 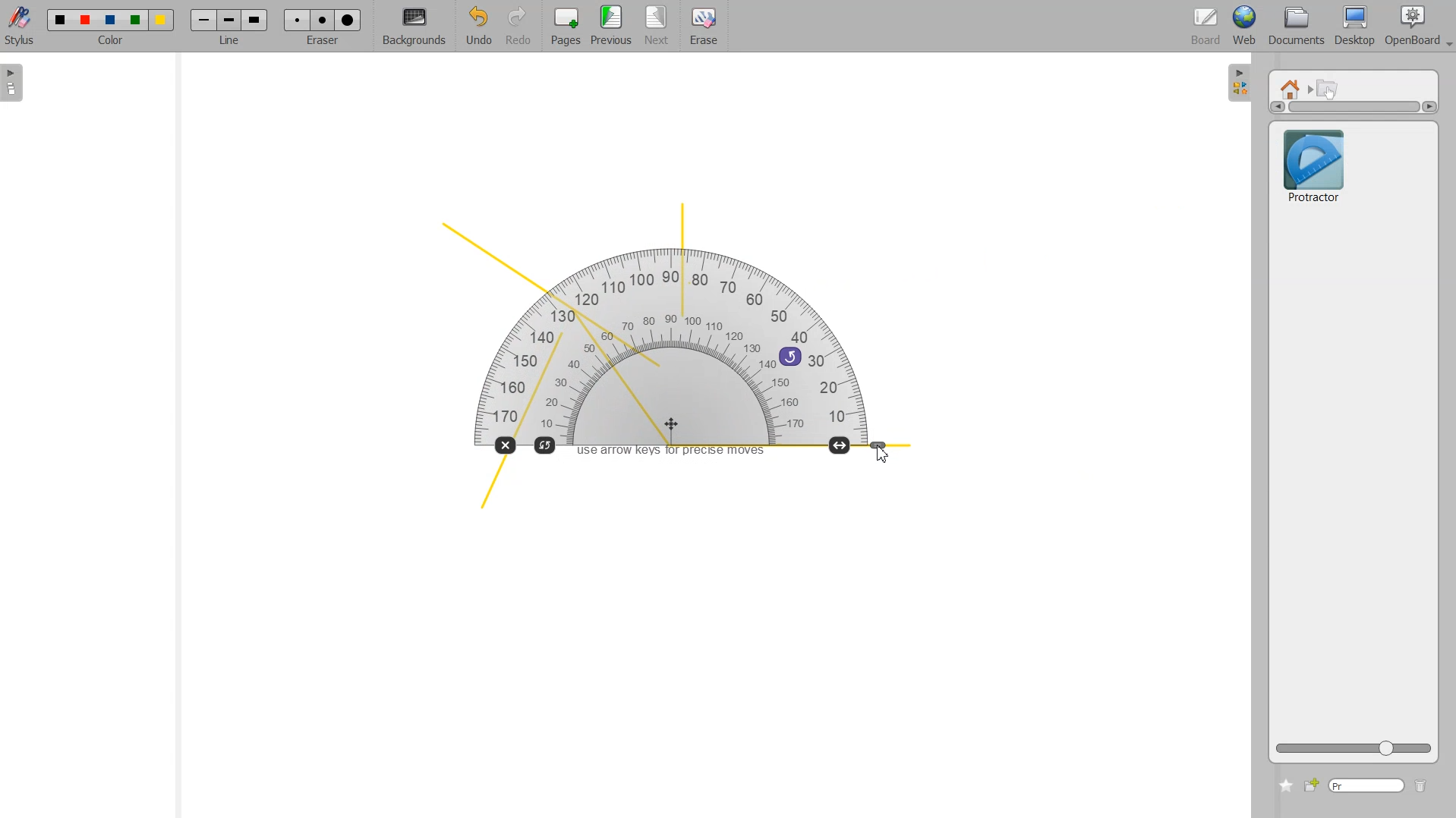 What do you see at coordinates (229, 20) in the screenshot?
I see `Line` at bounding box center [229, 20].